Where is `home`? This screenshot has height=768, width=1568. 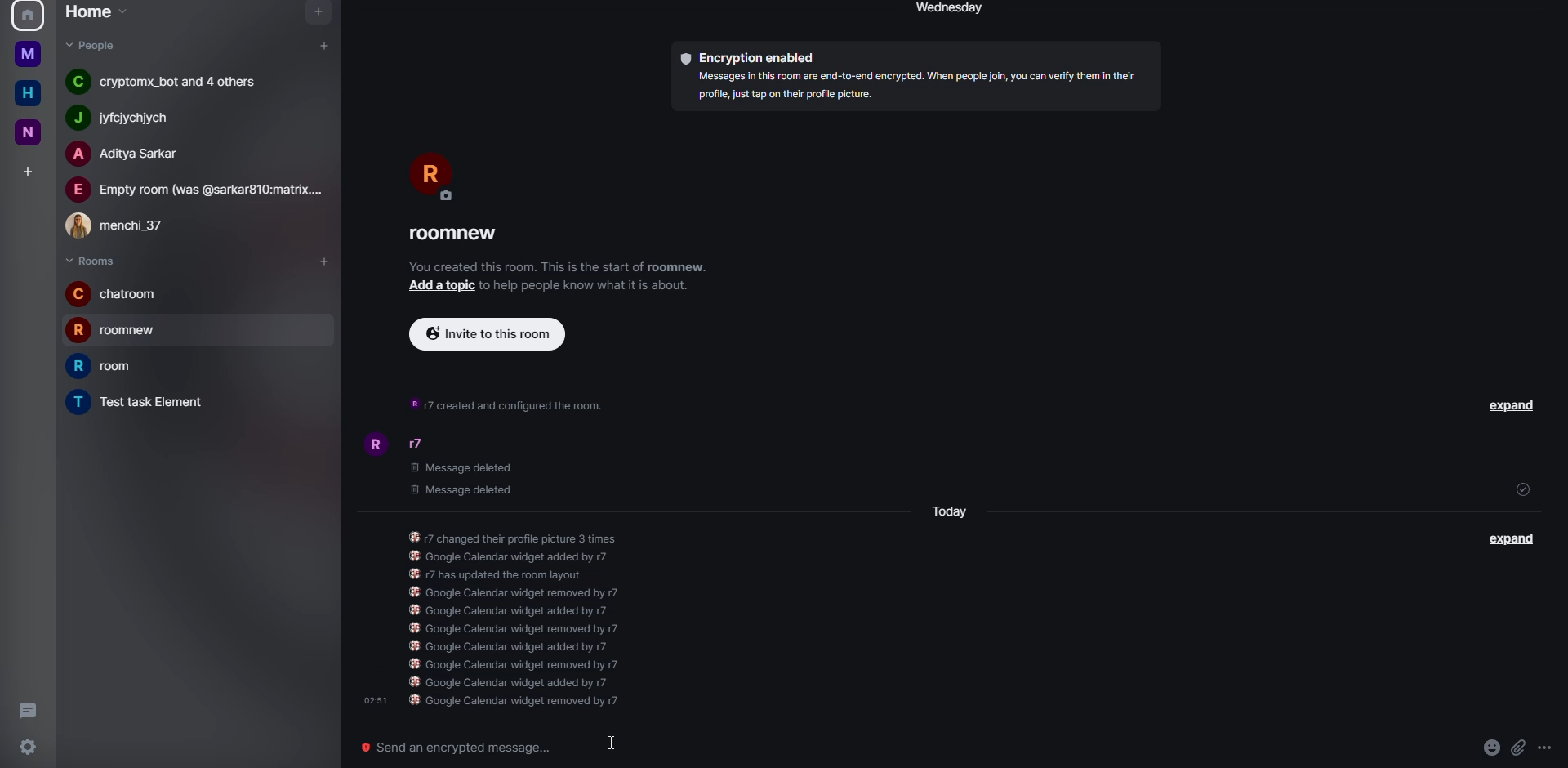
home is located at coordinates (28, 93).